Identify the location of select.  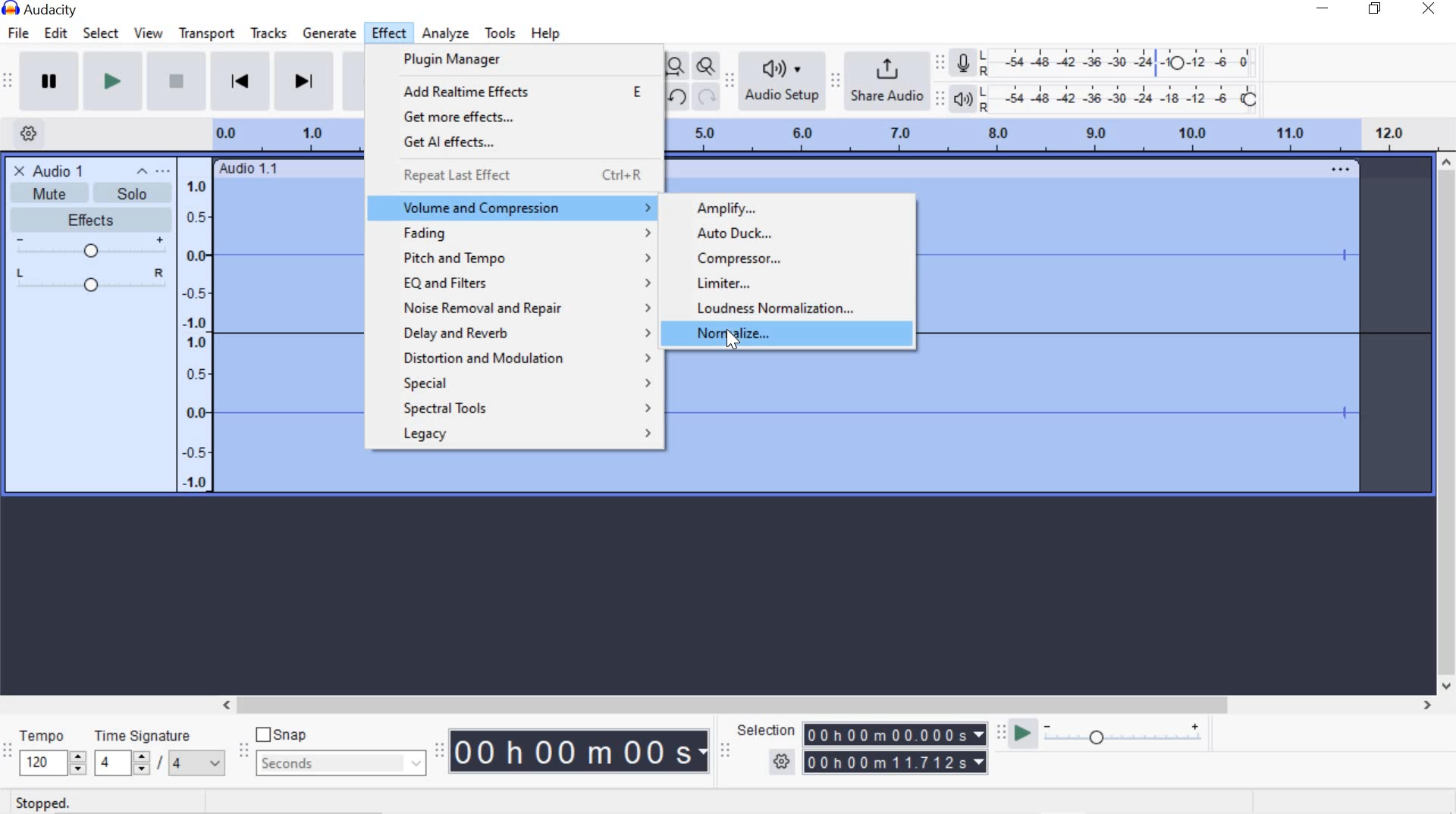
(101, 33).